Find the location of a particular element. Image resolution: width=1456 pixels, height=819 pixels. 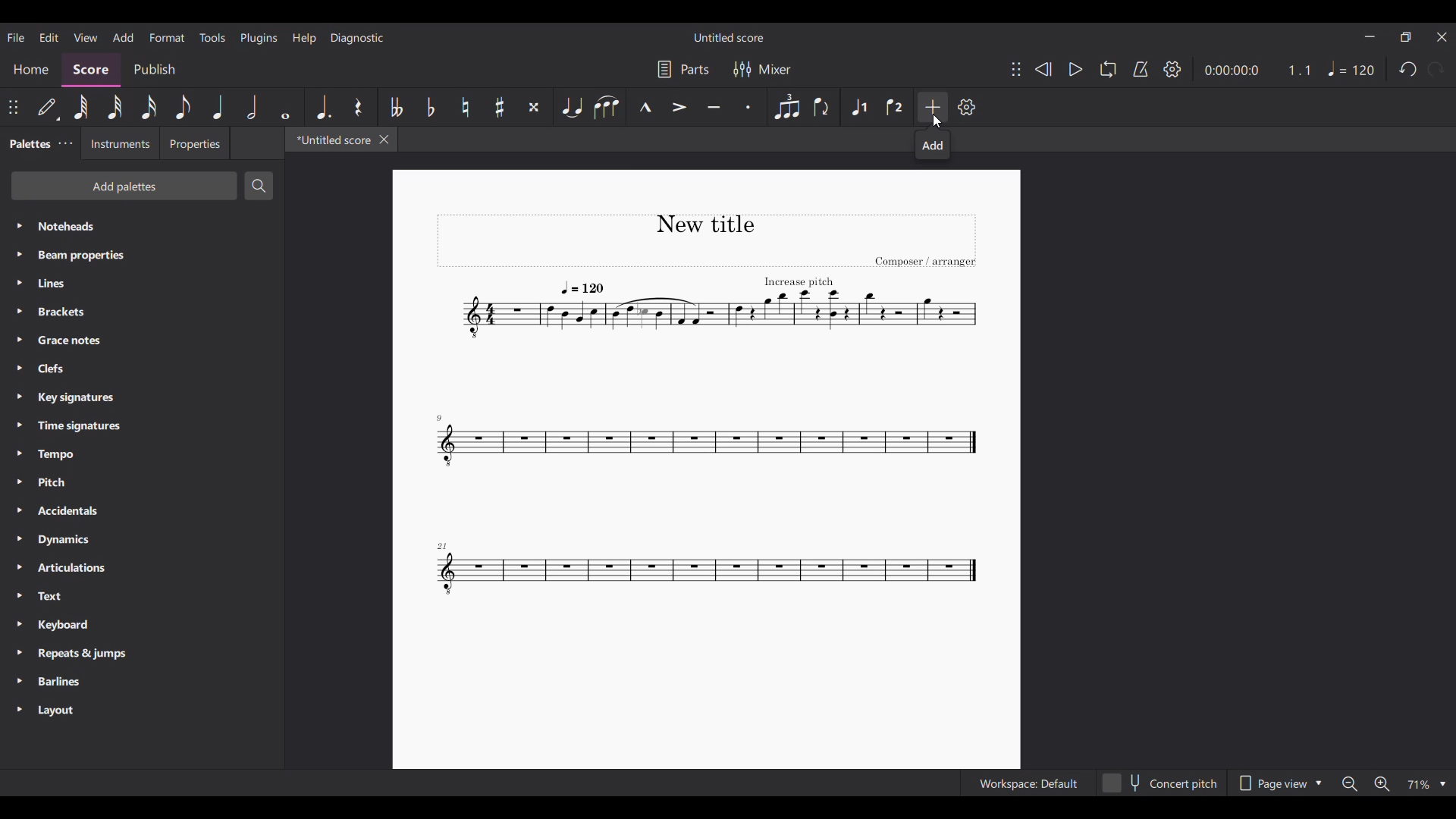

Rewind is located at coordinates (1043, 69).